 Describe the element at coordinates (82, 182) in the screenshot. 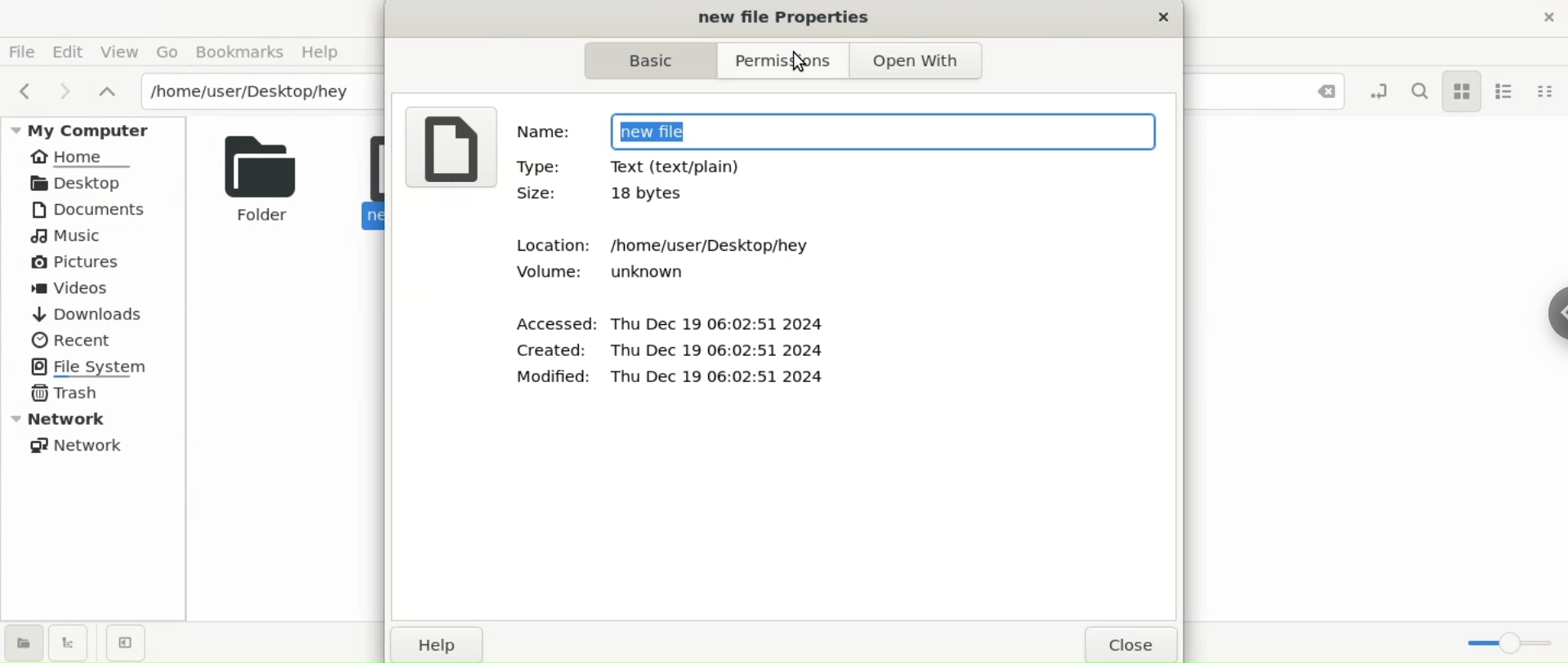

I see `Desktop` at that location.